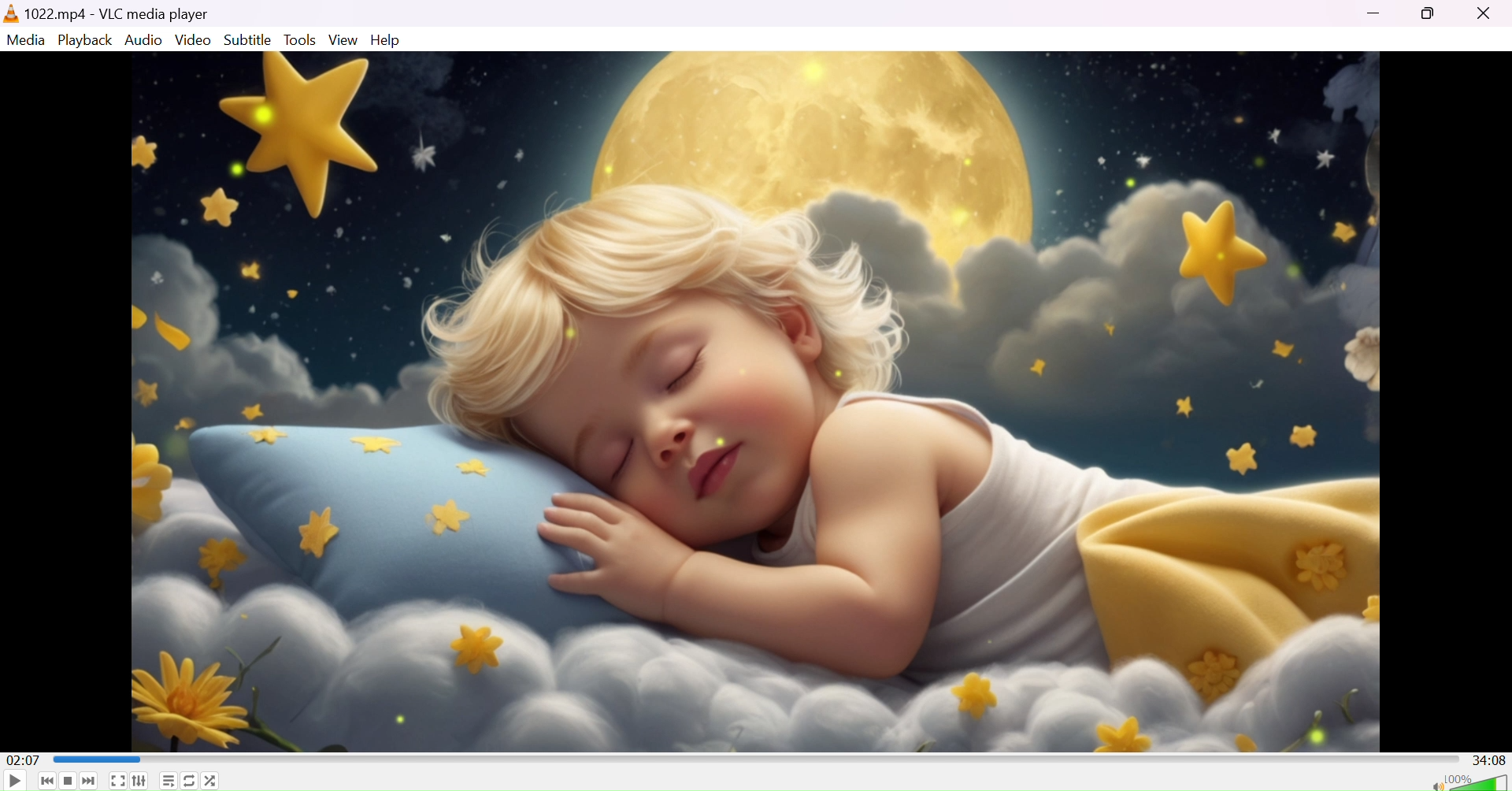 The image size is (1512, 791). What do you see at coordinates (1436, 785) in the screenshot?
I see `Mute` at bounding box center [1436, 785].